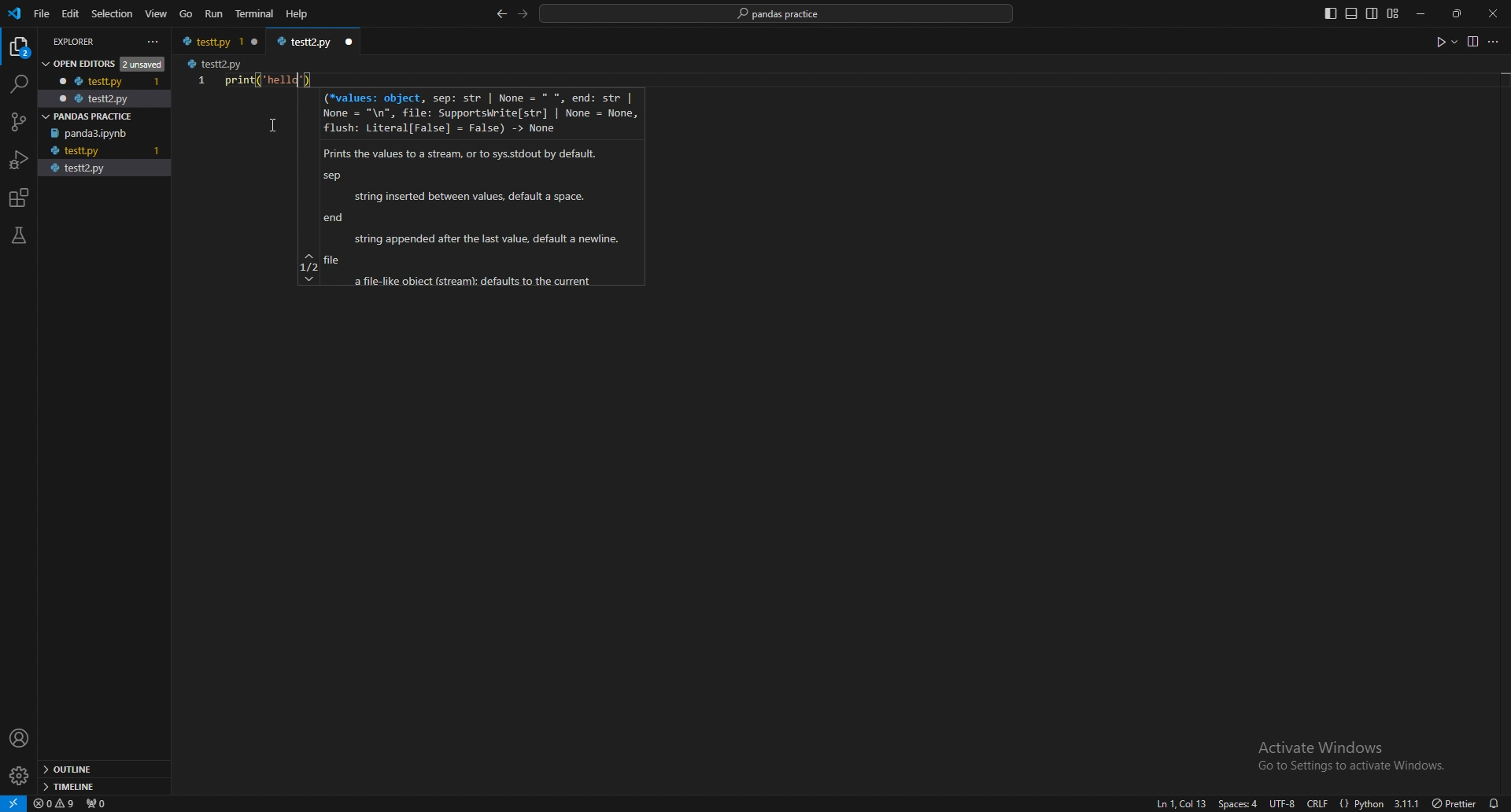 Image resolution: width=1511 pixels, height=812 pixels. Describe the element at coordinates (1332, 13) in the screenshot. I see `toggle primary side bar` at that location.